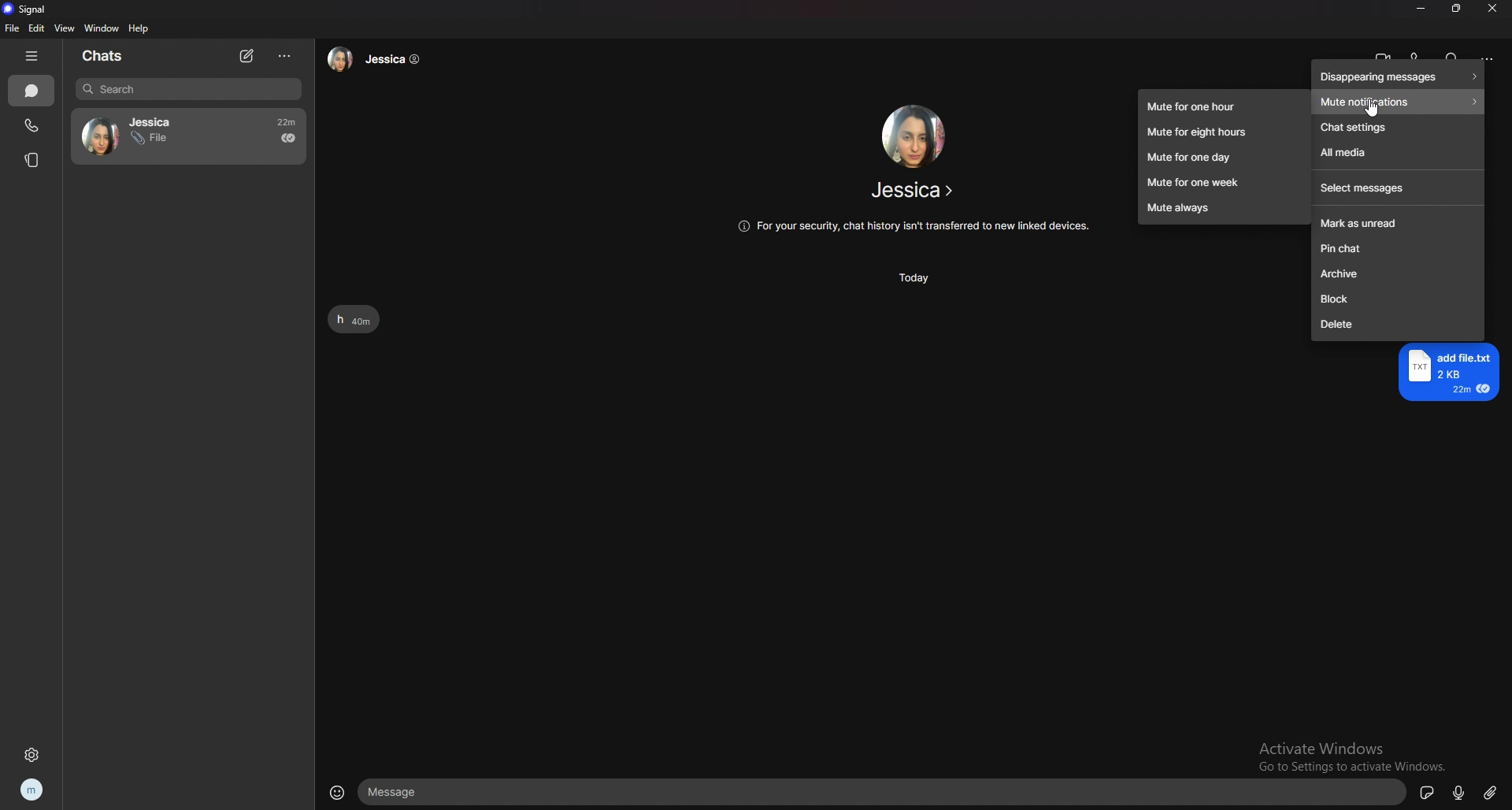 The width and height of the screenshot is (1512, 810). I want to click on block, so click(1398, 299).